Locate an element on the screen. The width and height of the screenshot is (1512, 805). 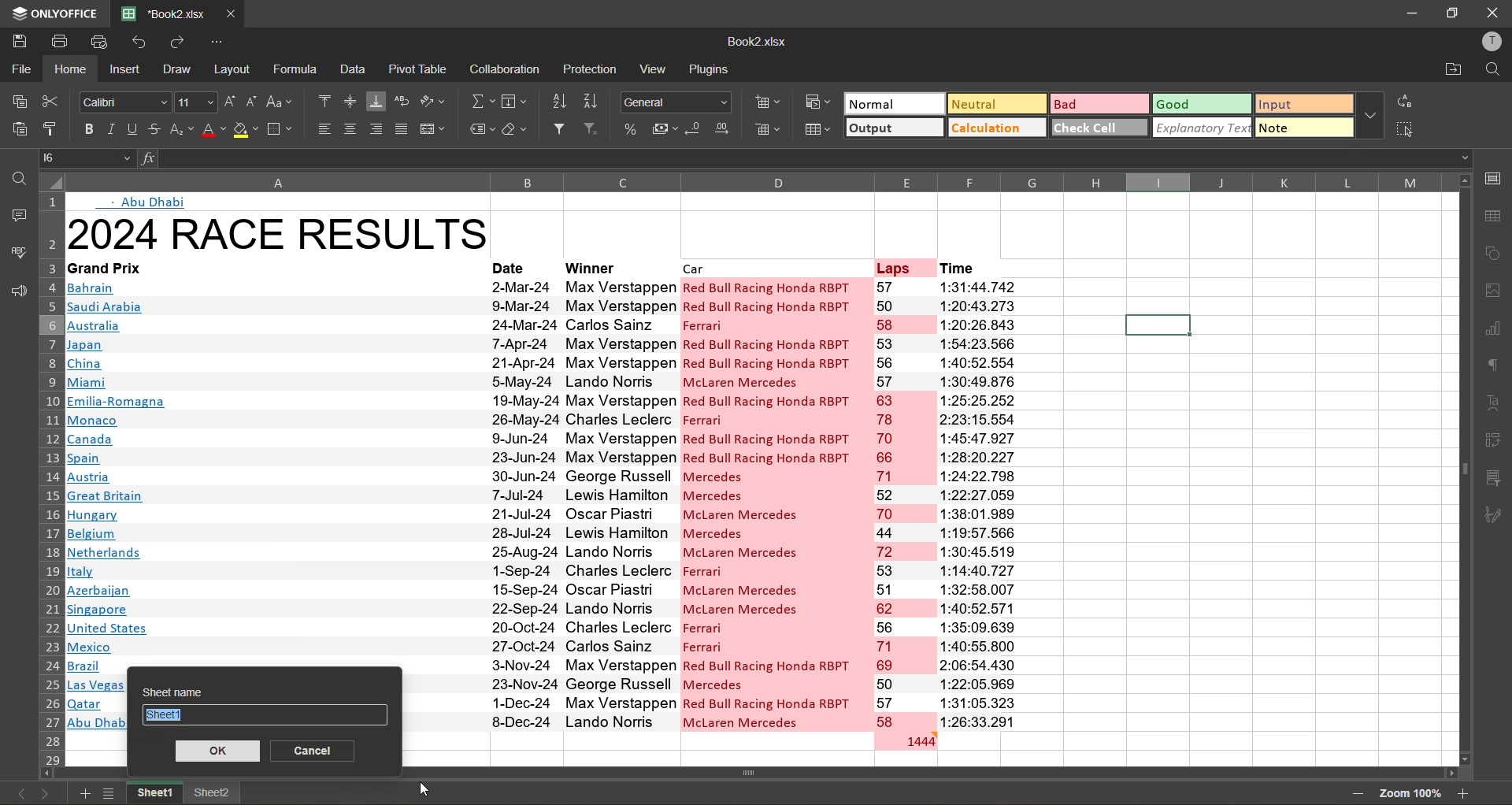
cell address is located at coordinates (87, 157).